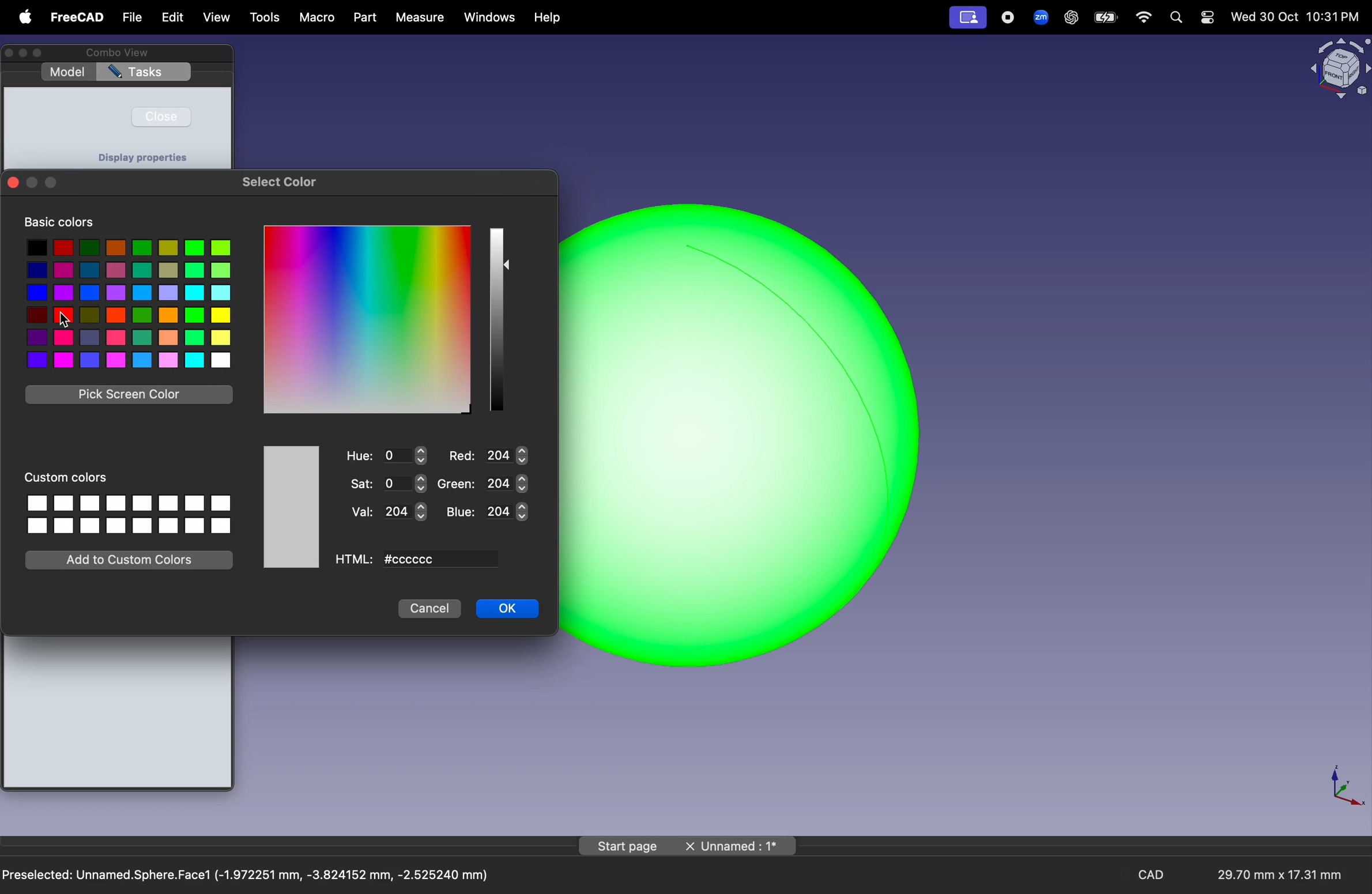  I want to click on cursor, so click(64, 319).